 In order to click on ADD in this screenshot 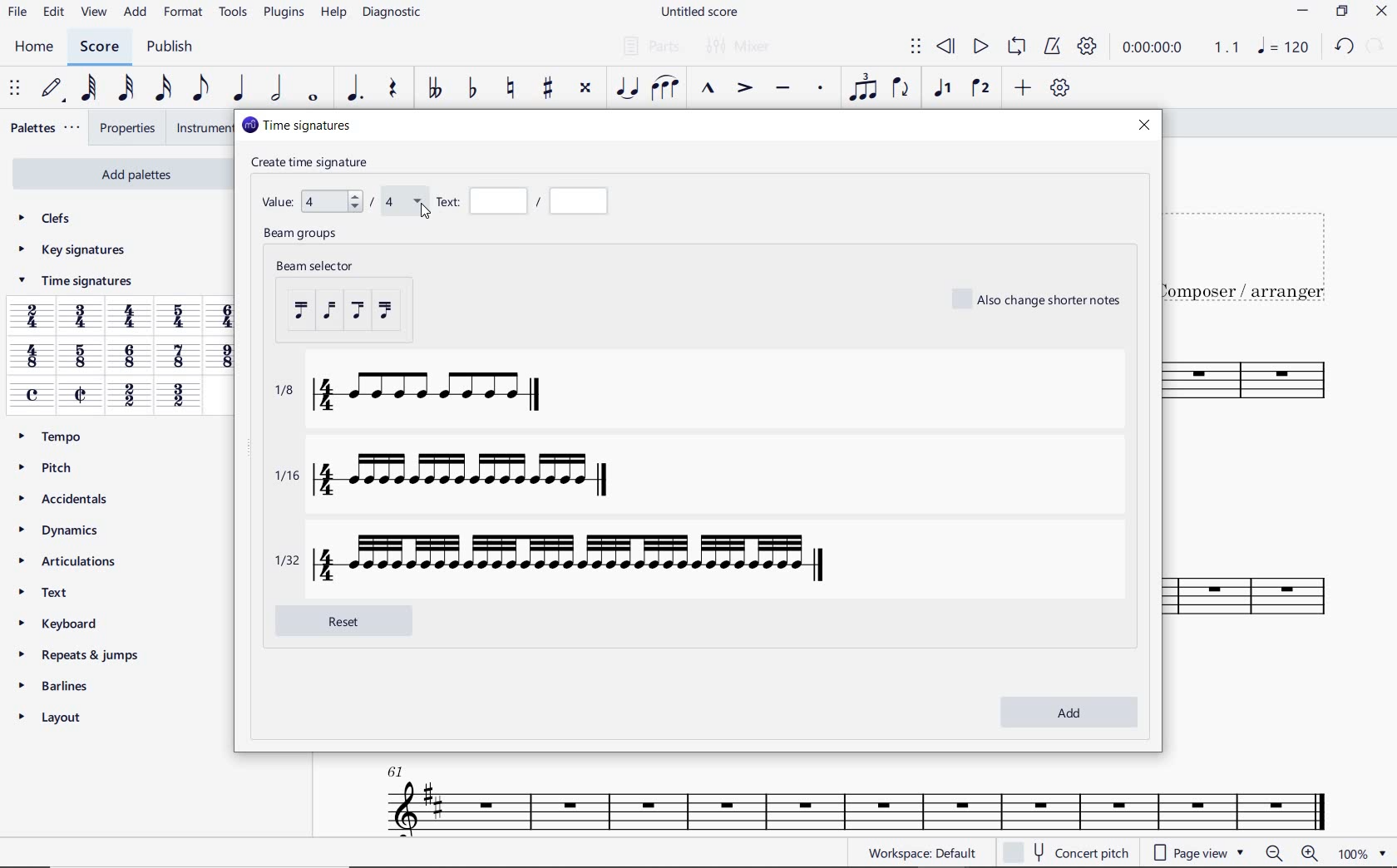, I will do `click(1023, 87)`.